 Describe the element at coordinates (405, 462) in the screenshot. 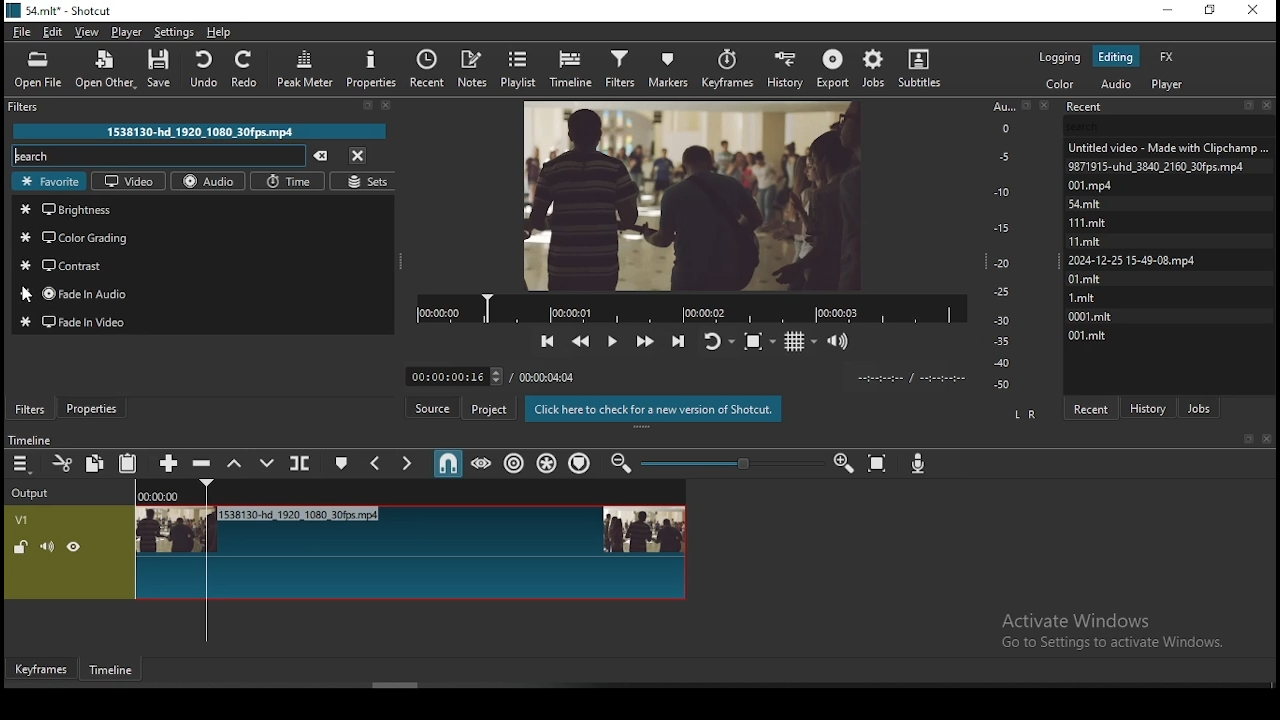

I see `next marker` at that location.